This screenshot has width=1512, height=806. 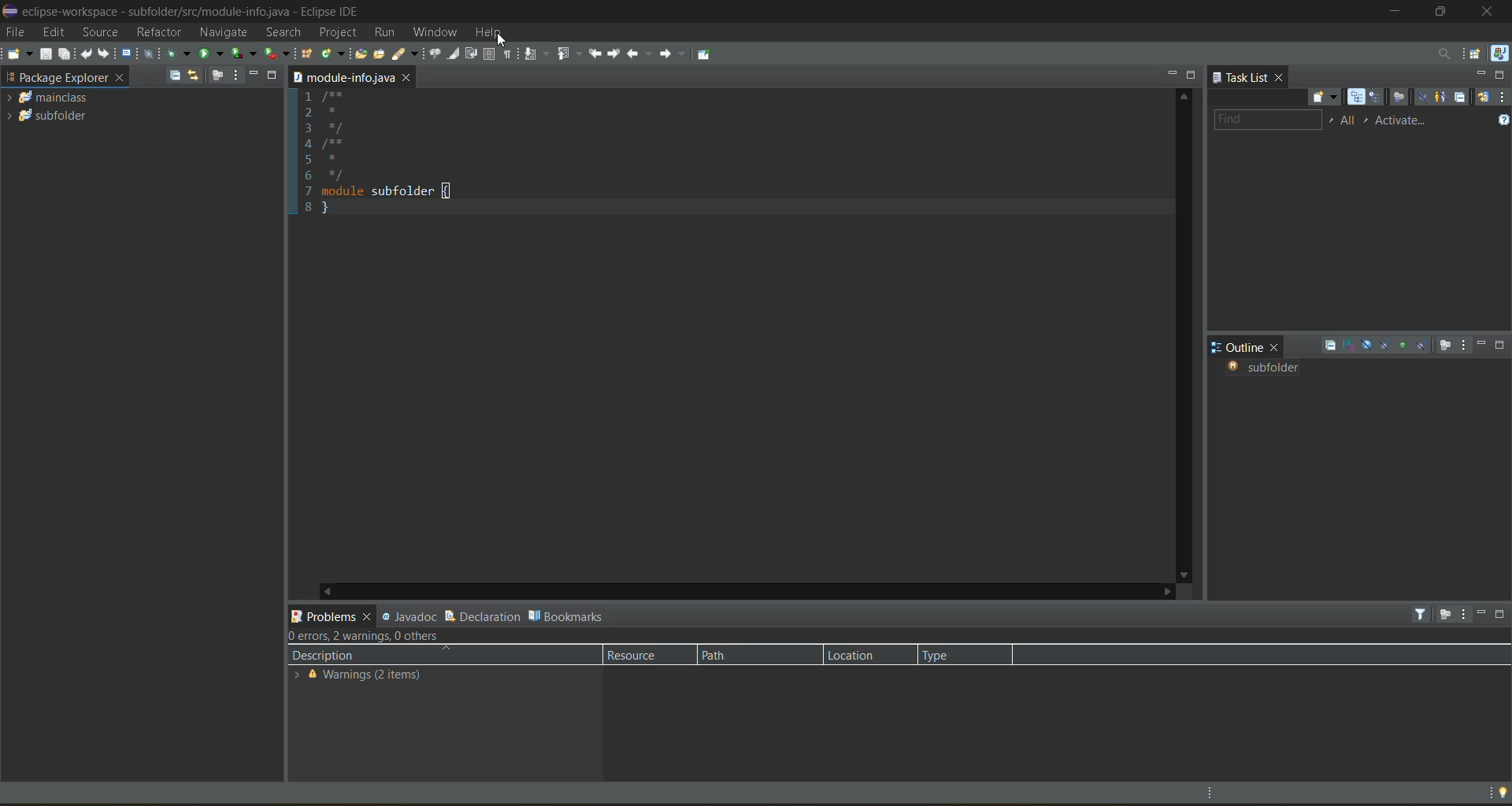 I want to click on skip all breakpoints, so click(x=151, y=54).